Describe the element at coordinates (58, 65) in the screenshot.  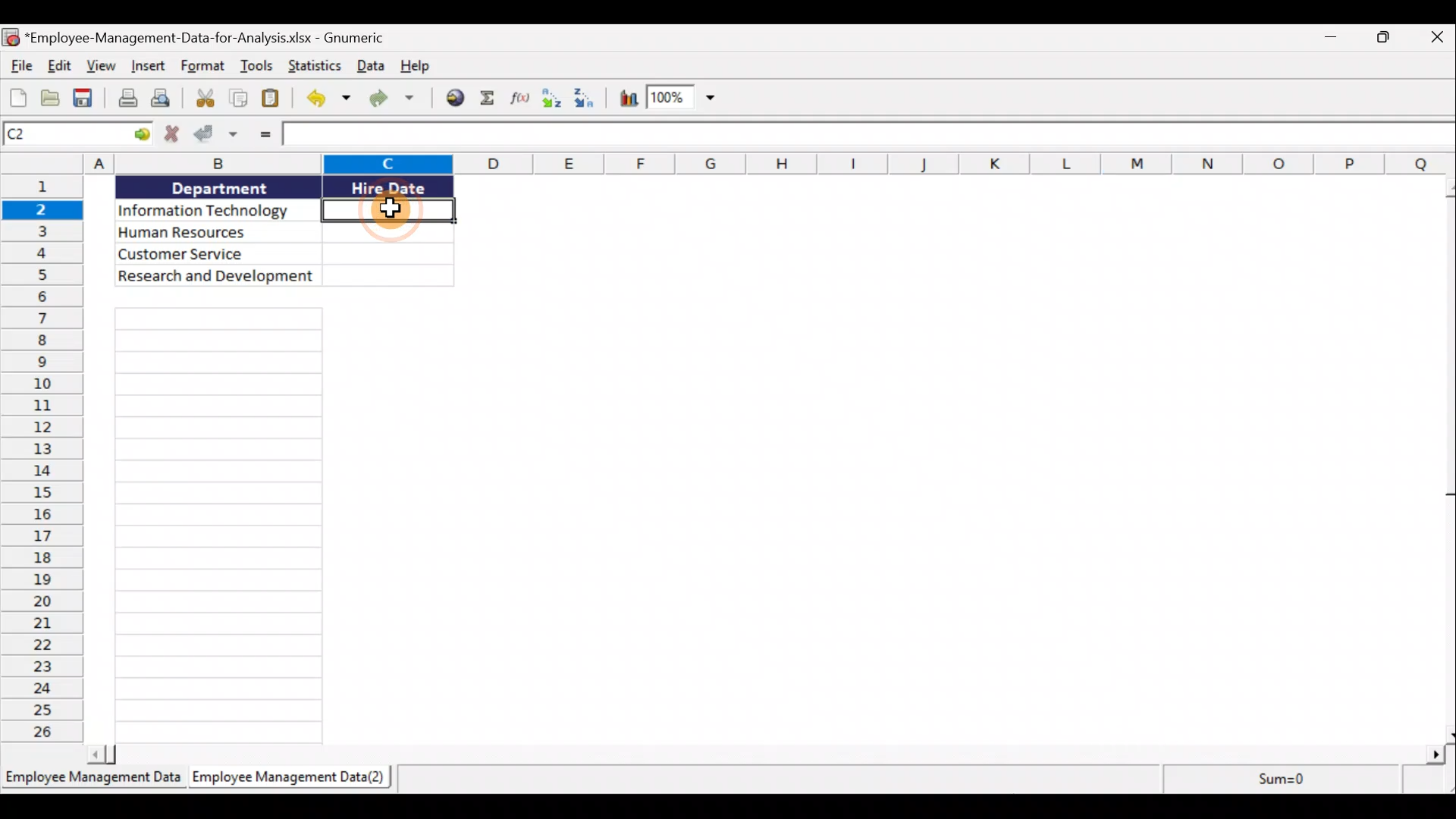
I see `Edit` at that location.